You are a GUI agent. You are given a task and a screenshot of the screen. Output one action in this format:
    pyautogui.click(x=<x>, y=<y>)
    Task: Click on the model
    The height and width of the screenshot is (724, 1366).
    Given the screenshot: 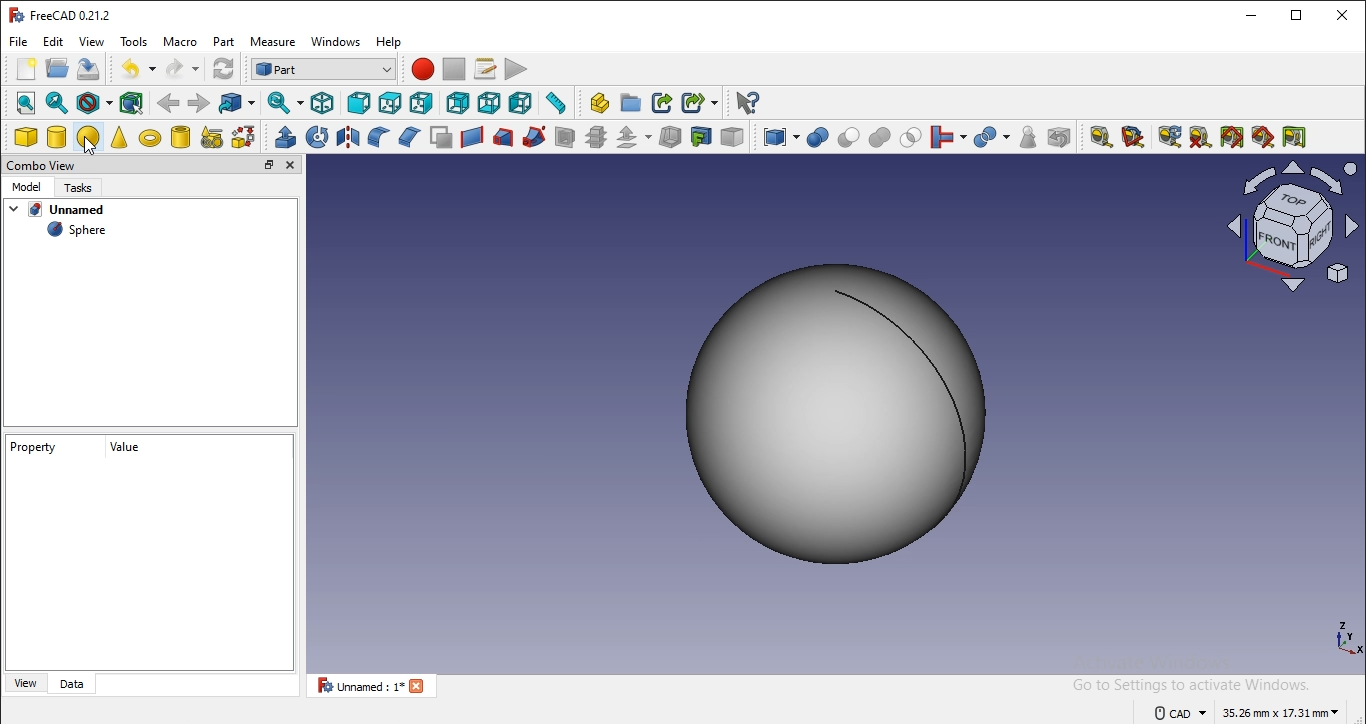 What is the action you would take?
    pyautogui.click(x=30, y=190)
    